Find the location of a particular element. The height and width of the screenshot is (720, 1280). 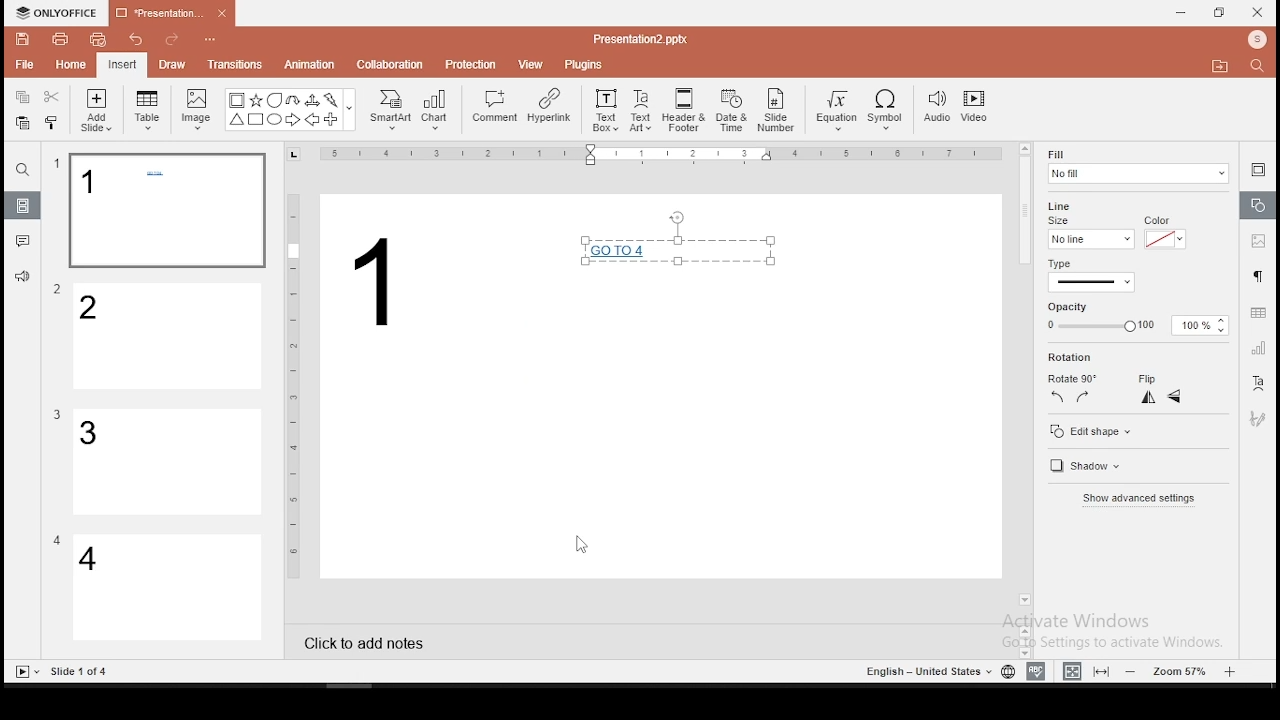

 is located at coordinates (57, 540).